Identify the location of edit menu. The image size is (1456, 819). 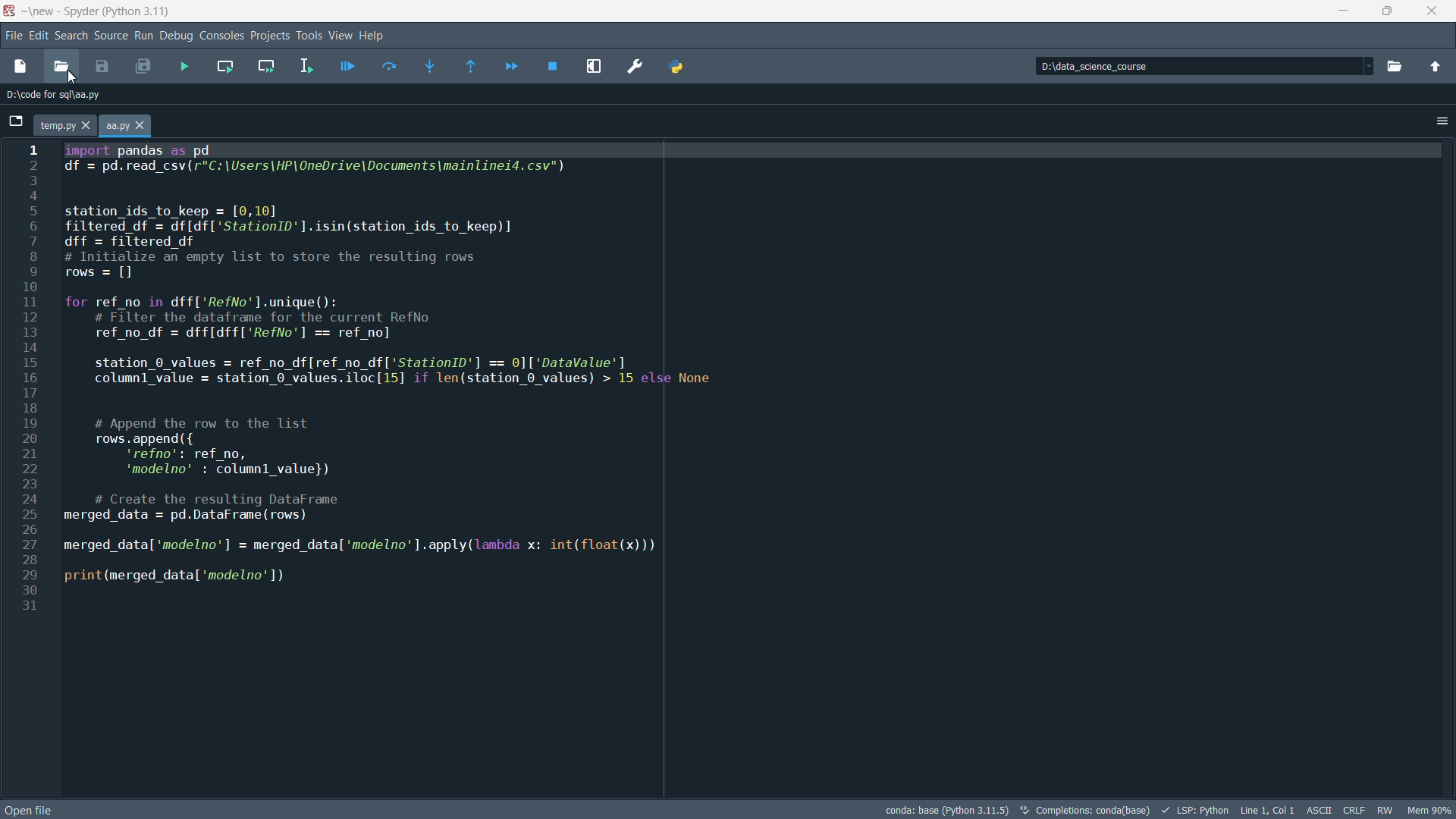
(38, 36).